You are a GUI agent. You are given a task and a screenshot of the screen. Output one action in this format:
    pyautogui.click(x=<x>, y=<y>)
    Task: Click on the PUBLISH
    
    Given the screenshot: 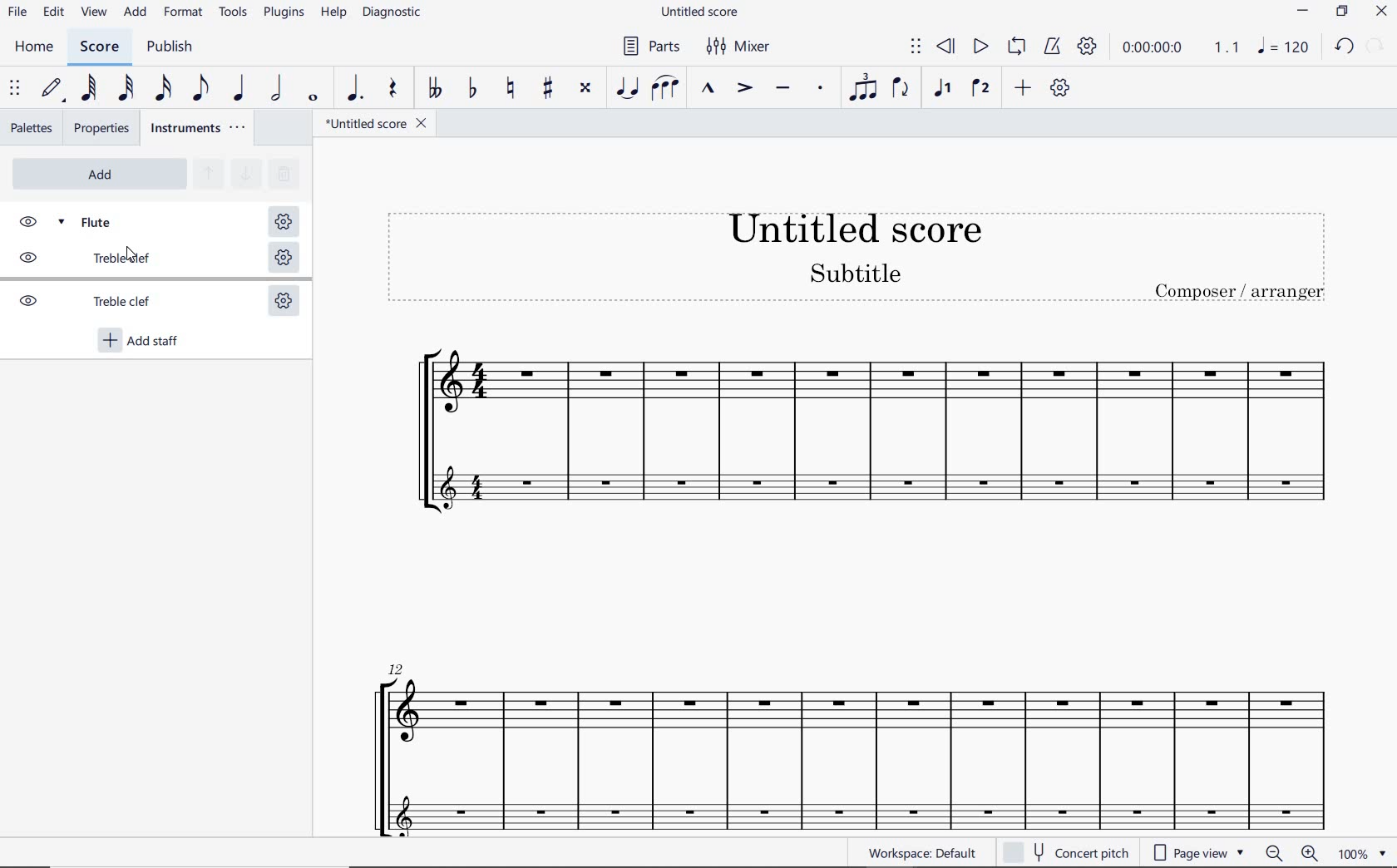 What is the action you would take?
    pyautogui.click(x=175, y=49)
    